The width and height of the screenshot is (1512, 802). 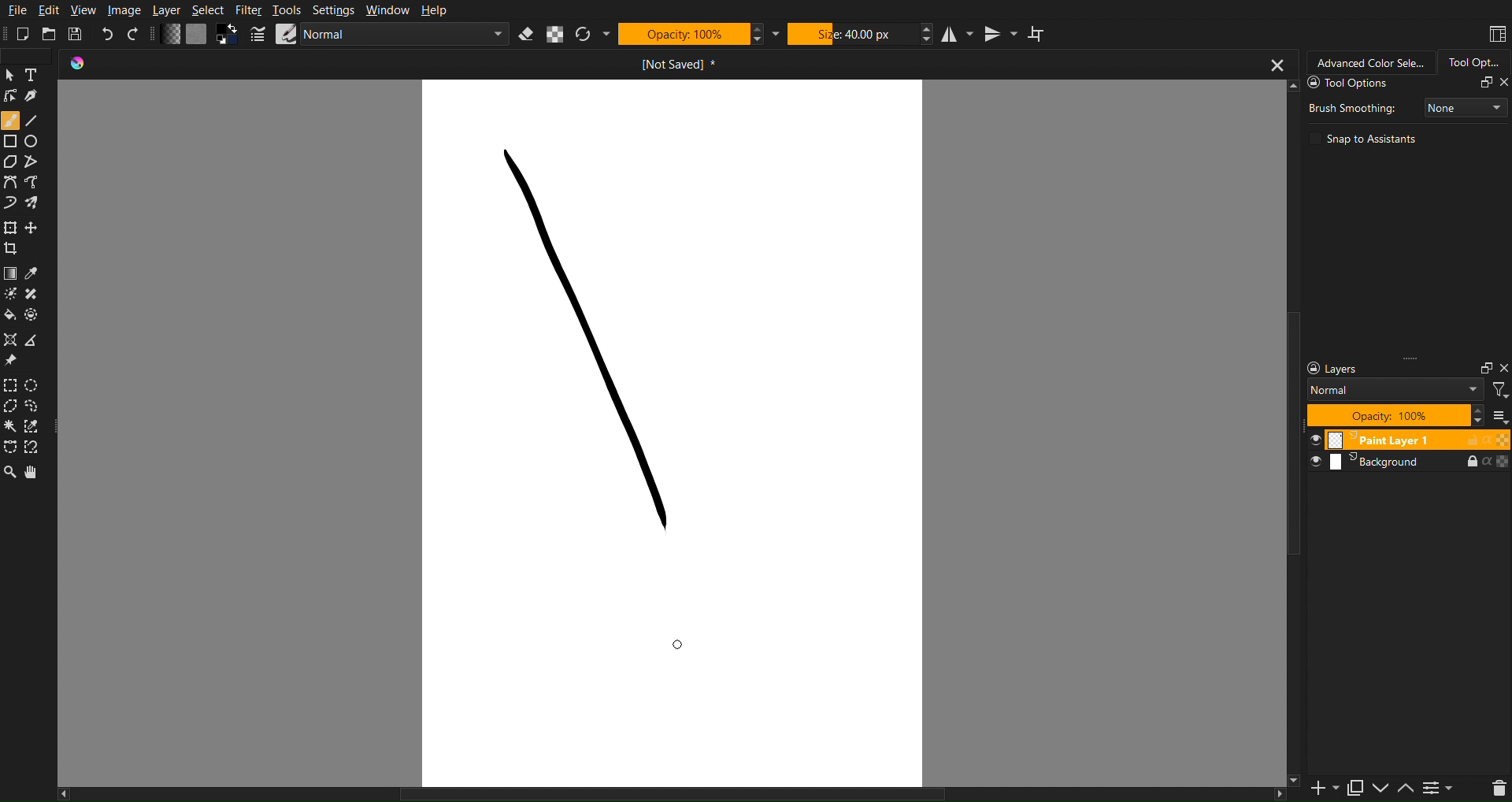 I want to click on Settings, so click(x=1442, y=789).